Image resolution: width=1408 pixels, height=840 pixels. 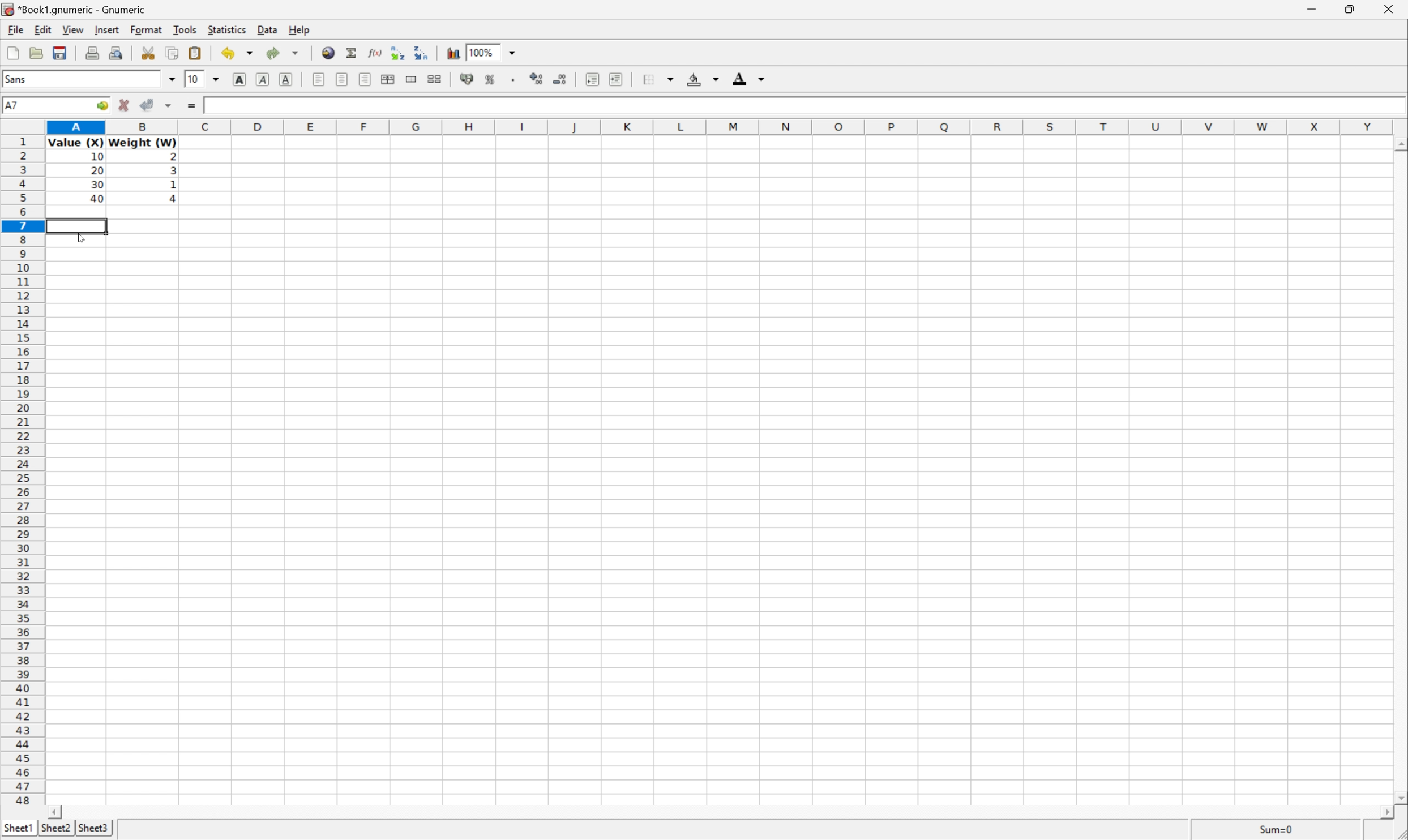 What do you see at coordinates (17, 77) in the screenshot?
I see `Sans` at bounding box center [17, 77].